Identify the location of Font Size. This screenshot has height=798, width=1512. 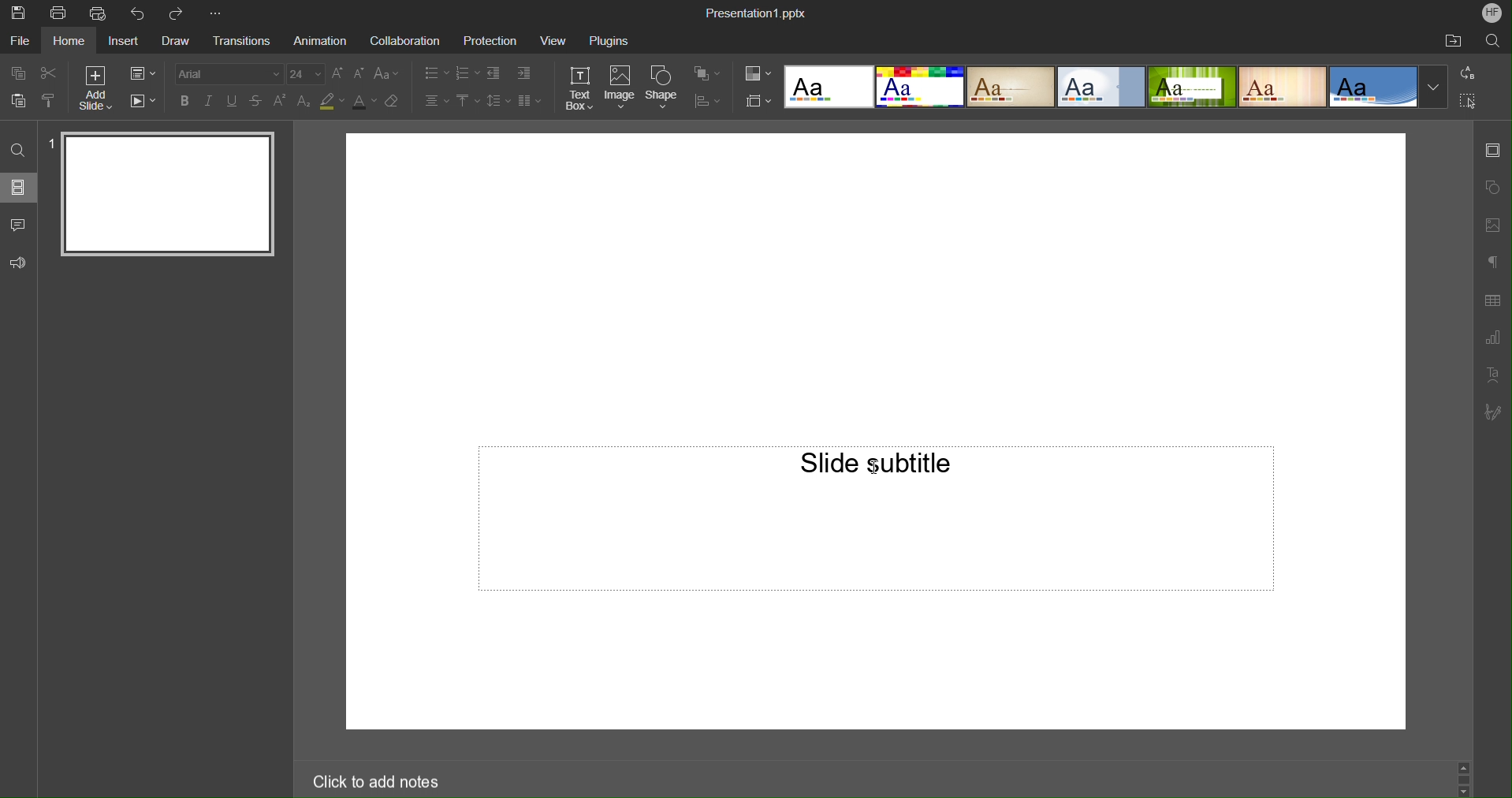
(347, 74).